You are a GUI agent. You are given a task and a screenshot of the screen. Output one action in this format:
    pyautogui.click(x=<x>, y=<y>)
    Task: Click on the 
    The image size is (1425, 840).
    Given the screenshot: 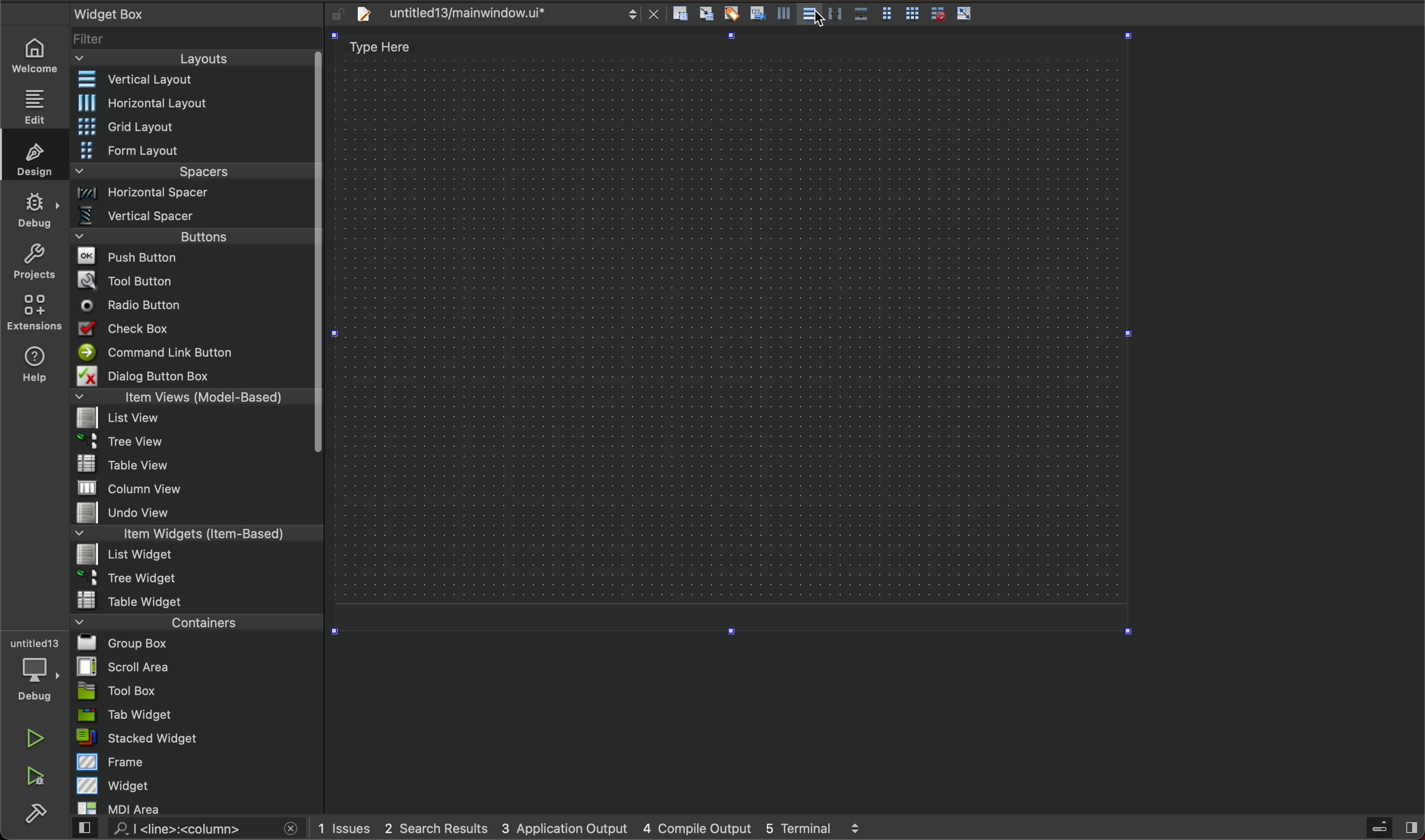 What is the action you would take?
    pyautogui.click(x=36, y=738)
    